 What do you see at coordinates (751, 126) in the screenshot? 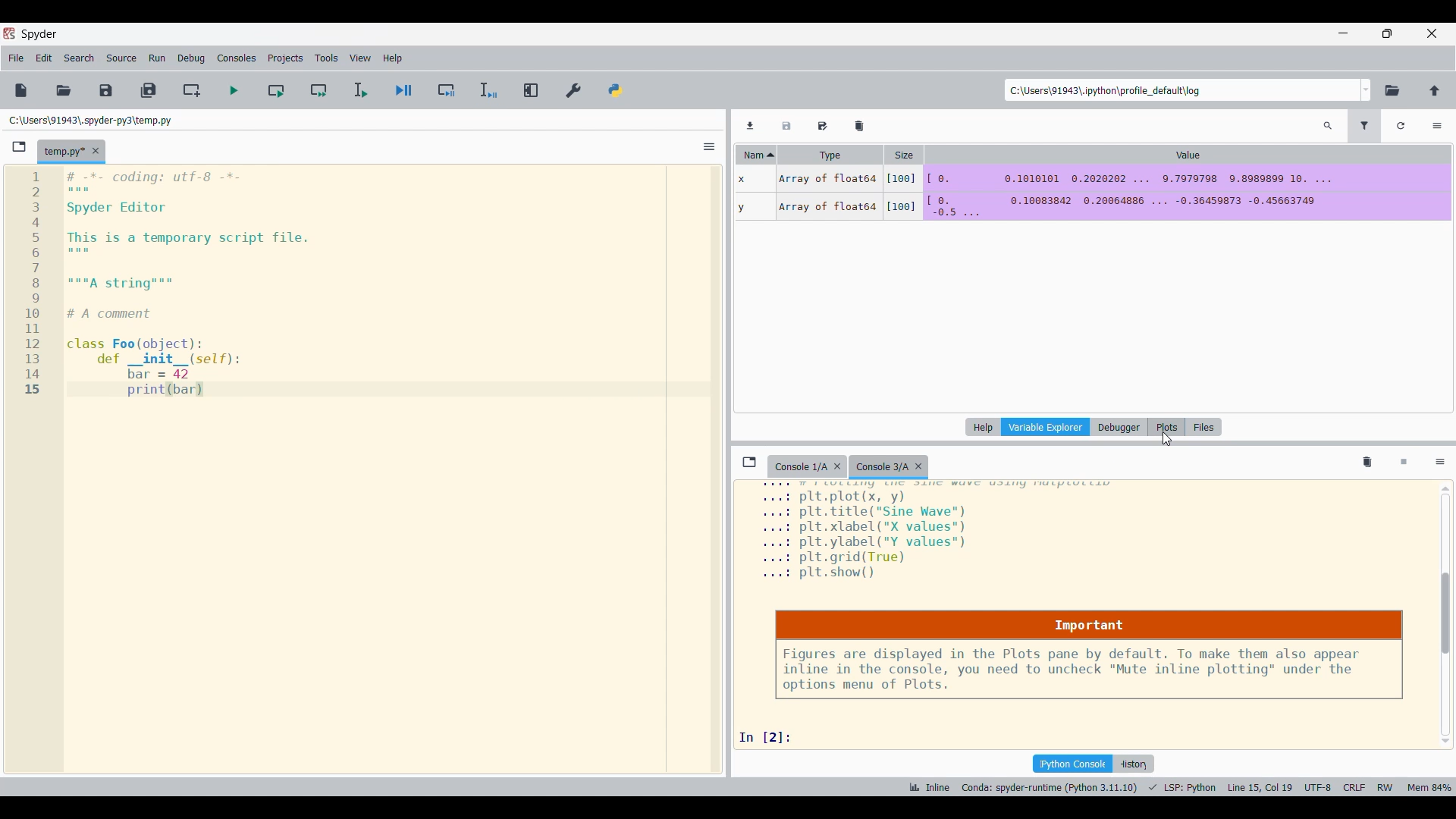
I see `Import data` at bounding box center [751, 126].